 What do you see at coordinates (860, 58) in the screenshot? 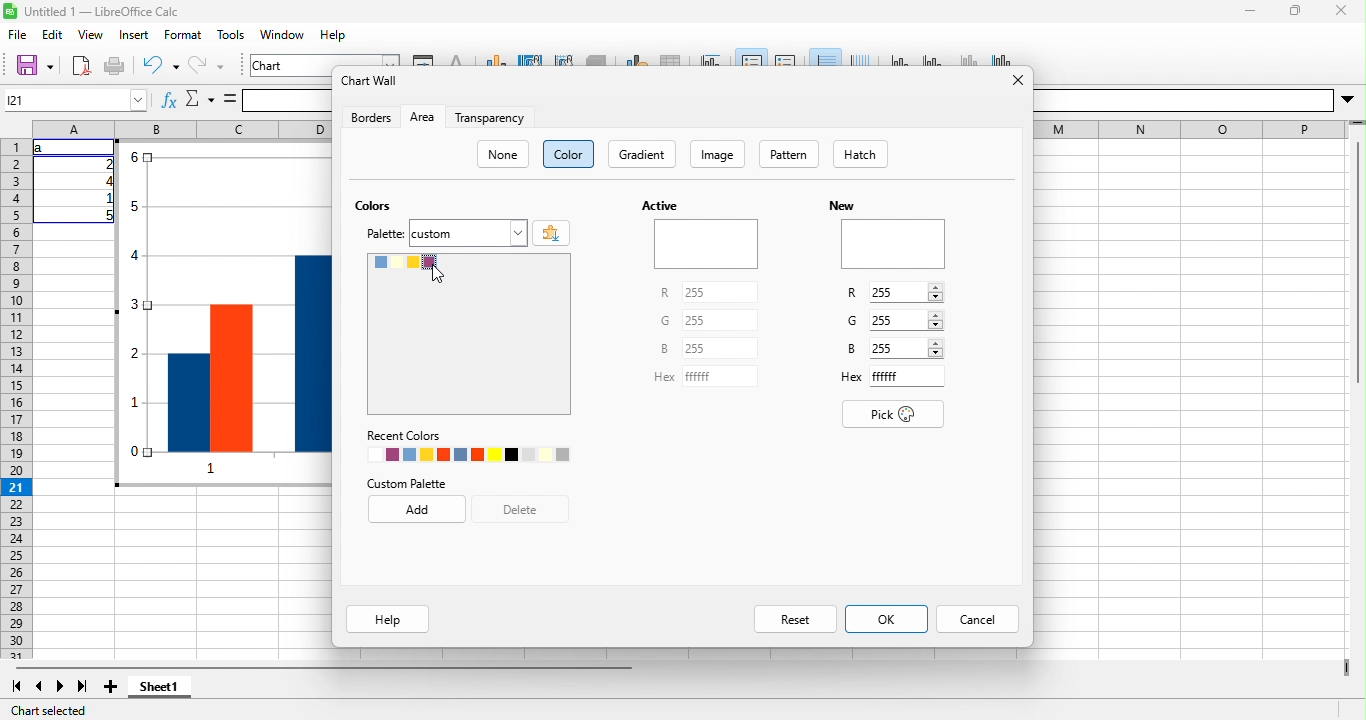
I see `vertical grids` at bounding box center [860, 58].